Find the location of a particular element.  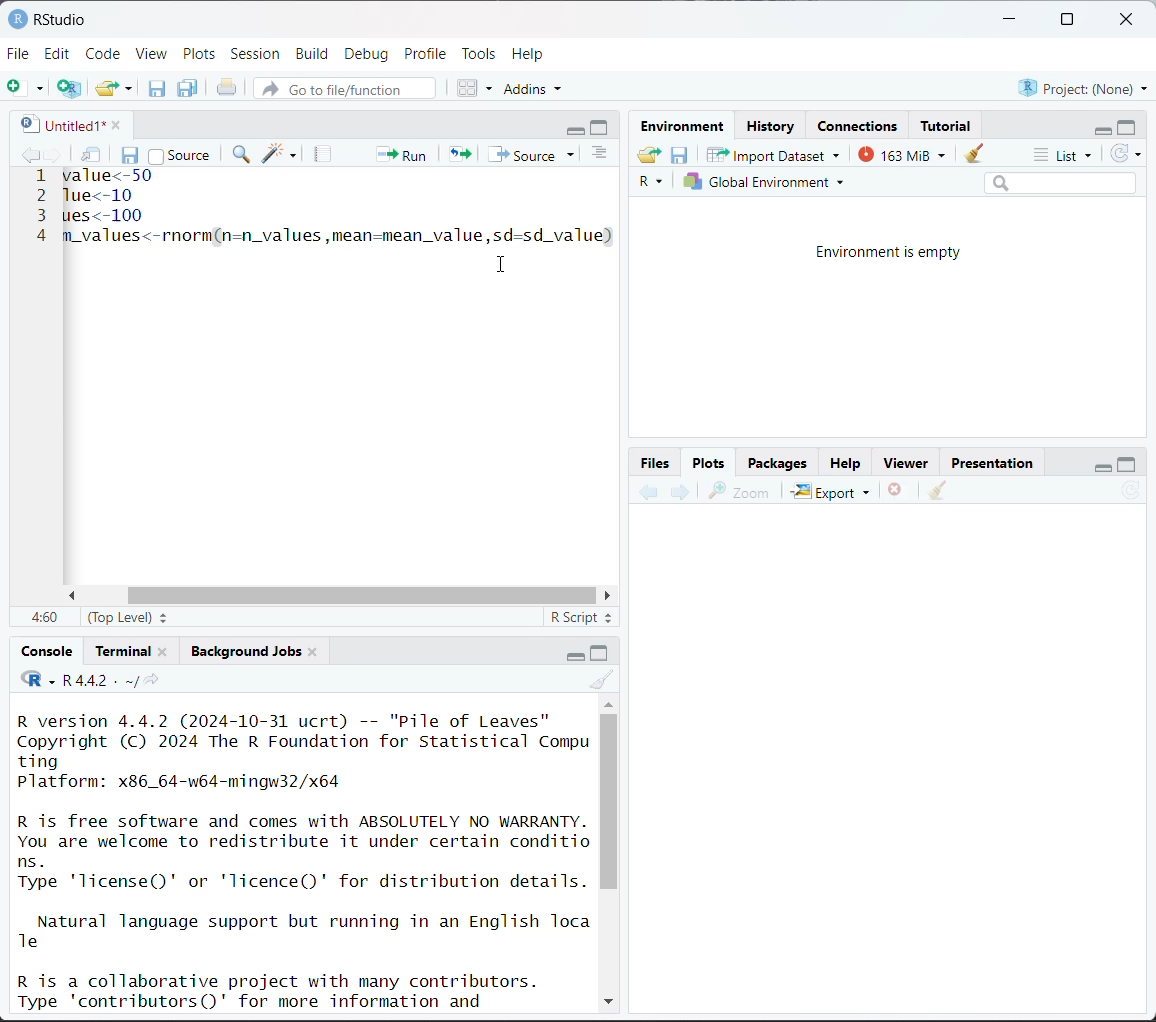

clear list is located at coordinates (131, 88).